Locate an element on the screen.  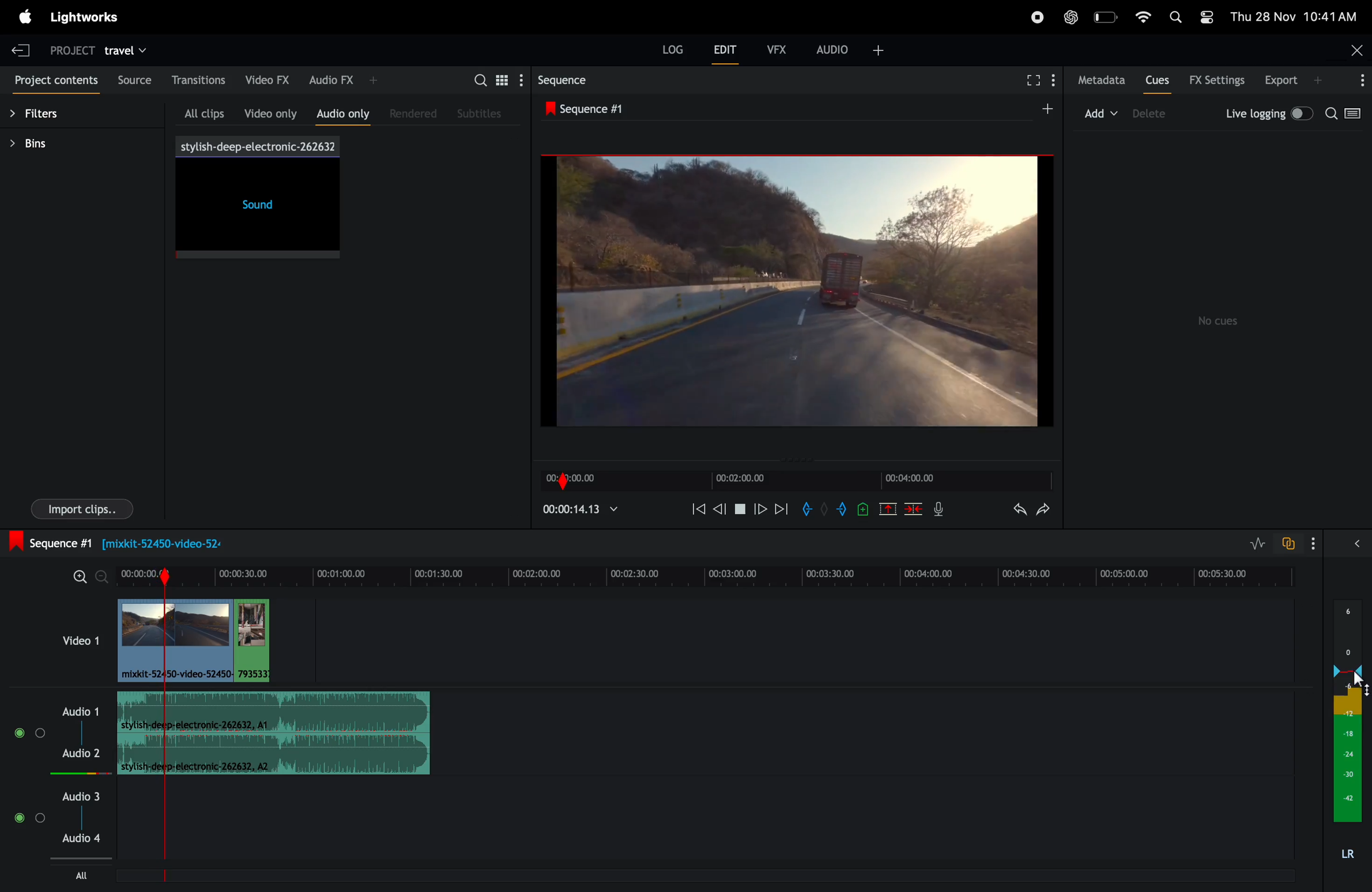
time is located at coordinates (583, 478).